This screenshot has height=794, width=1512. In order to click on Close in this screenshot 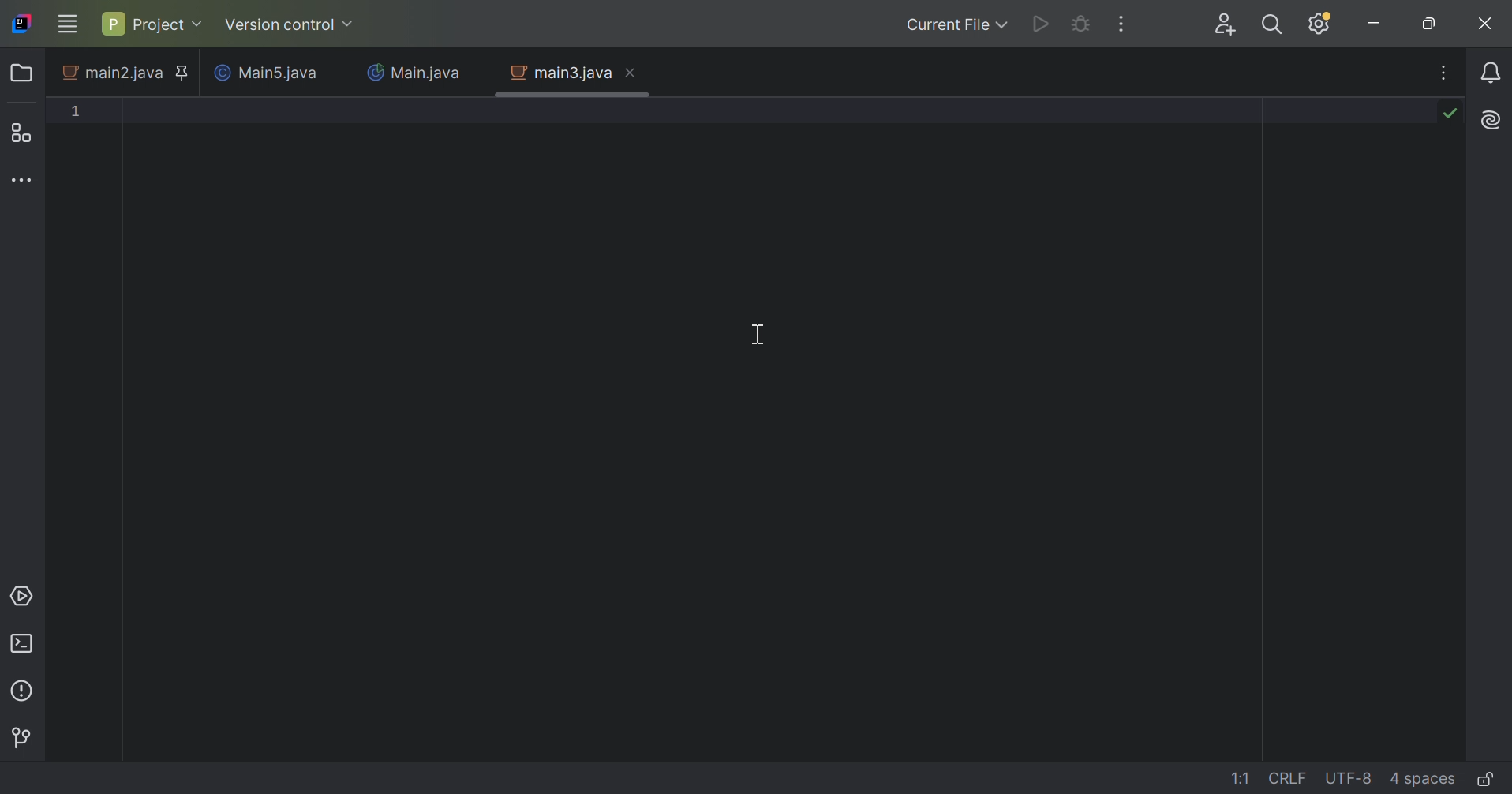, I will do `click(632, 73)`.